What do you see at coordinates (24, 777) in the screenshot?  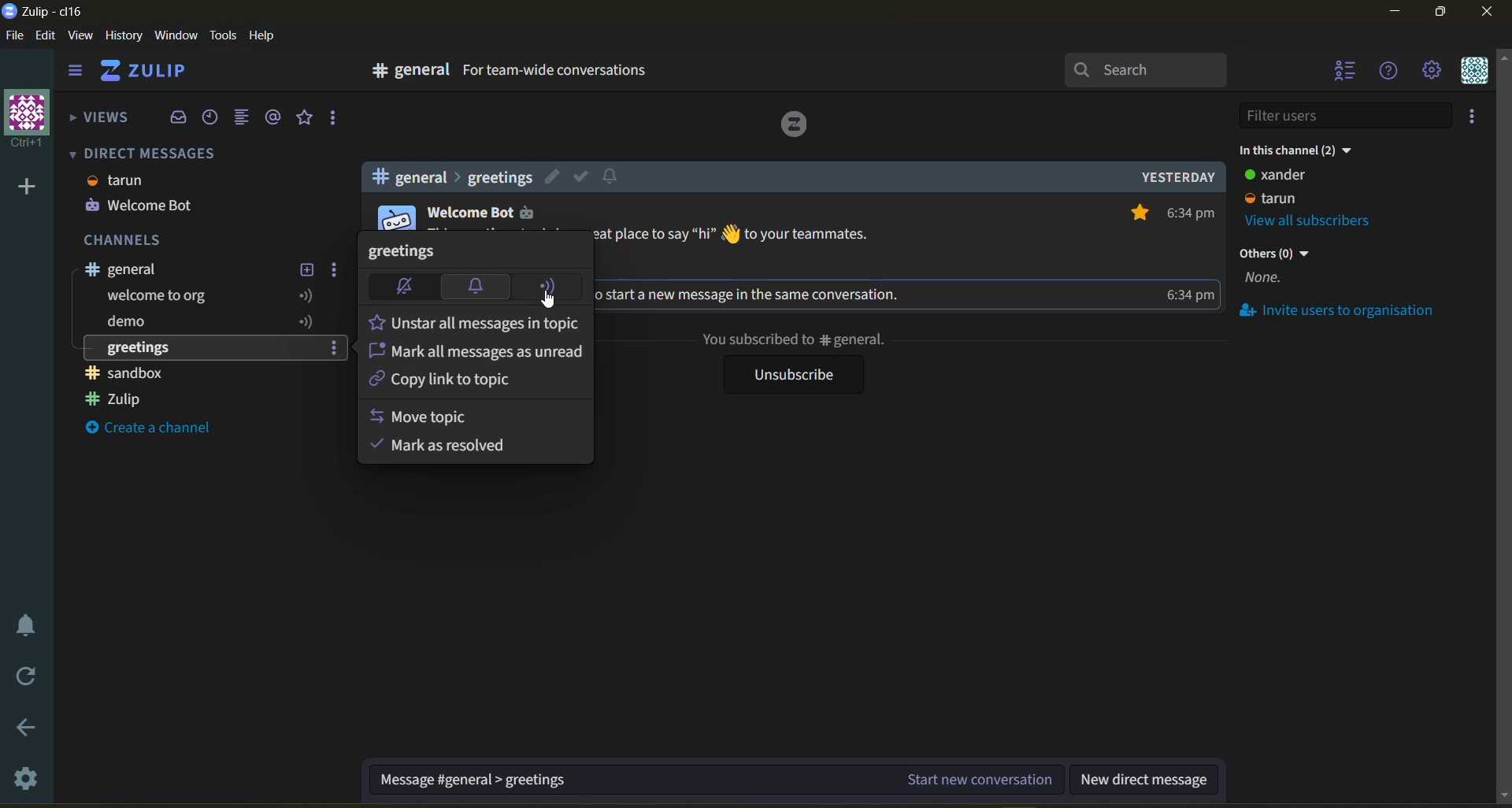 I see `settings` at bounding box center [24, 777].